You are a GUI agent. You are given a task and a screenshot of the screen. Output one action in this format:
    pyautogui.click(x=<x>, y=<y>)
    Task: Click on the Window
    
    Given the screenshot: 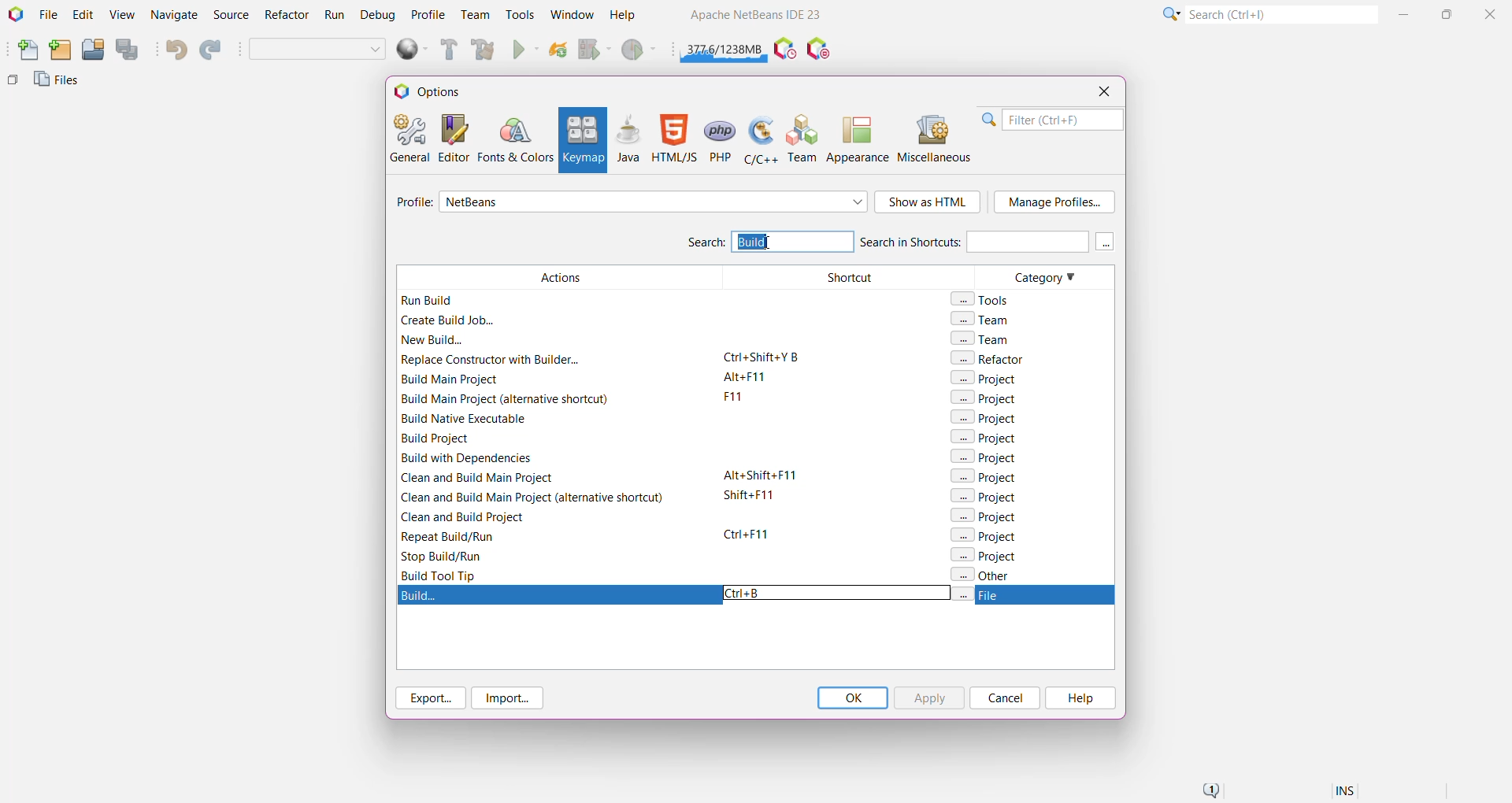 What is the action you would take?
    pyautogui.click(x=572, y=14)
    